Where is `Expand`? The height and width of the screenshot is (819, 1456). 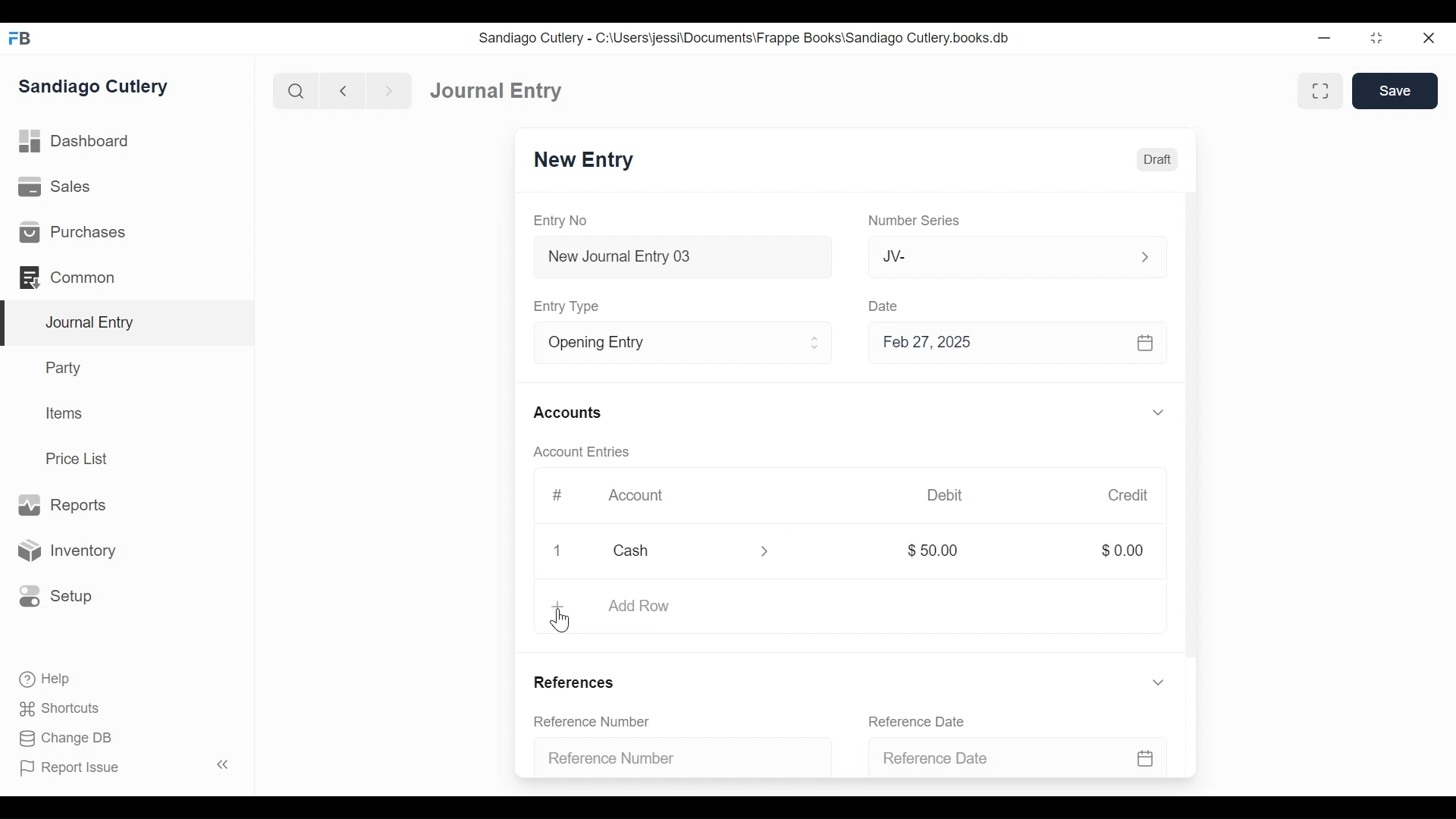 Expand is located at coordinates (1143, 256).